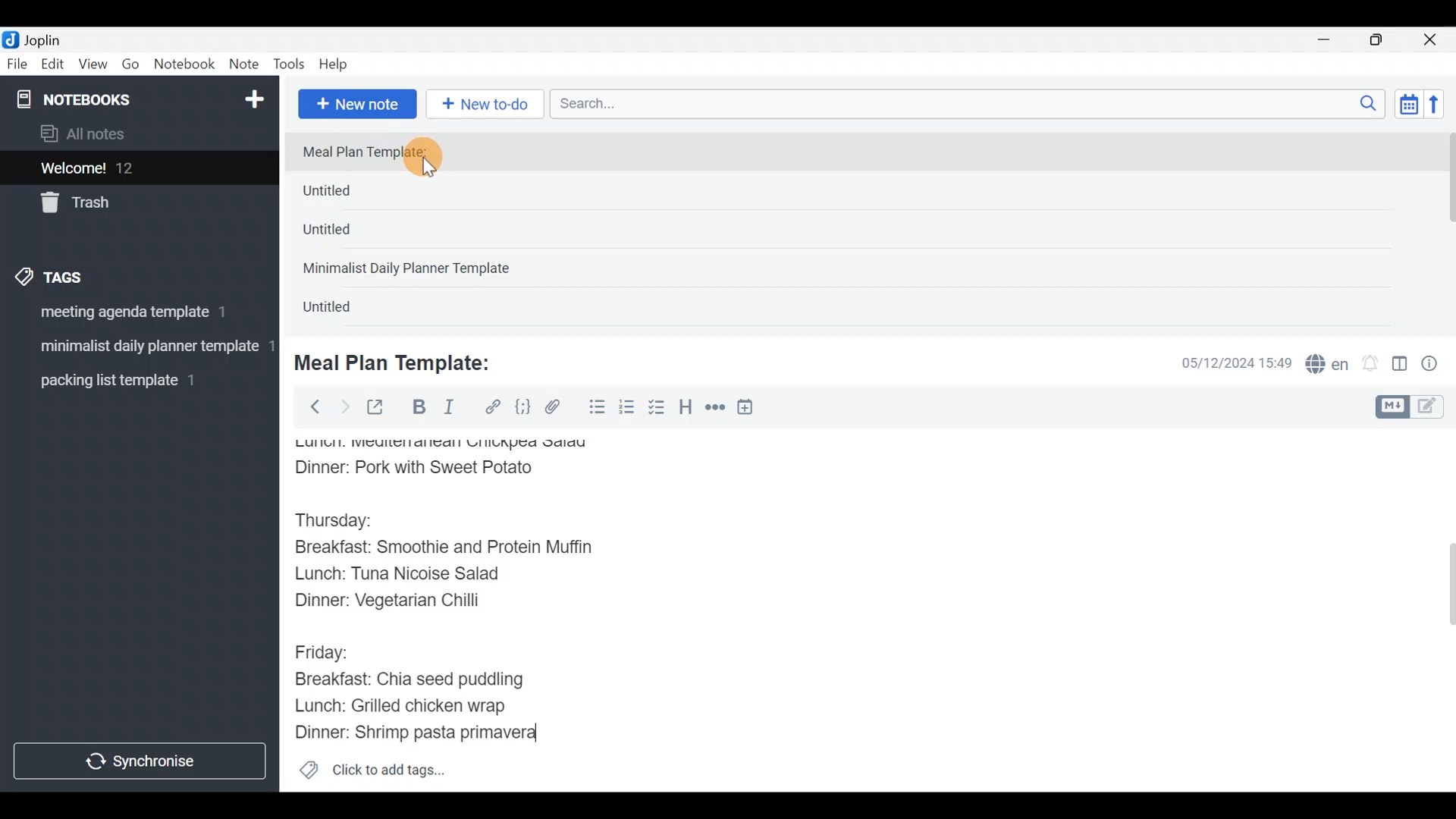  I want to click on Meal Plan Template:, so click(374, 152).